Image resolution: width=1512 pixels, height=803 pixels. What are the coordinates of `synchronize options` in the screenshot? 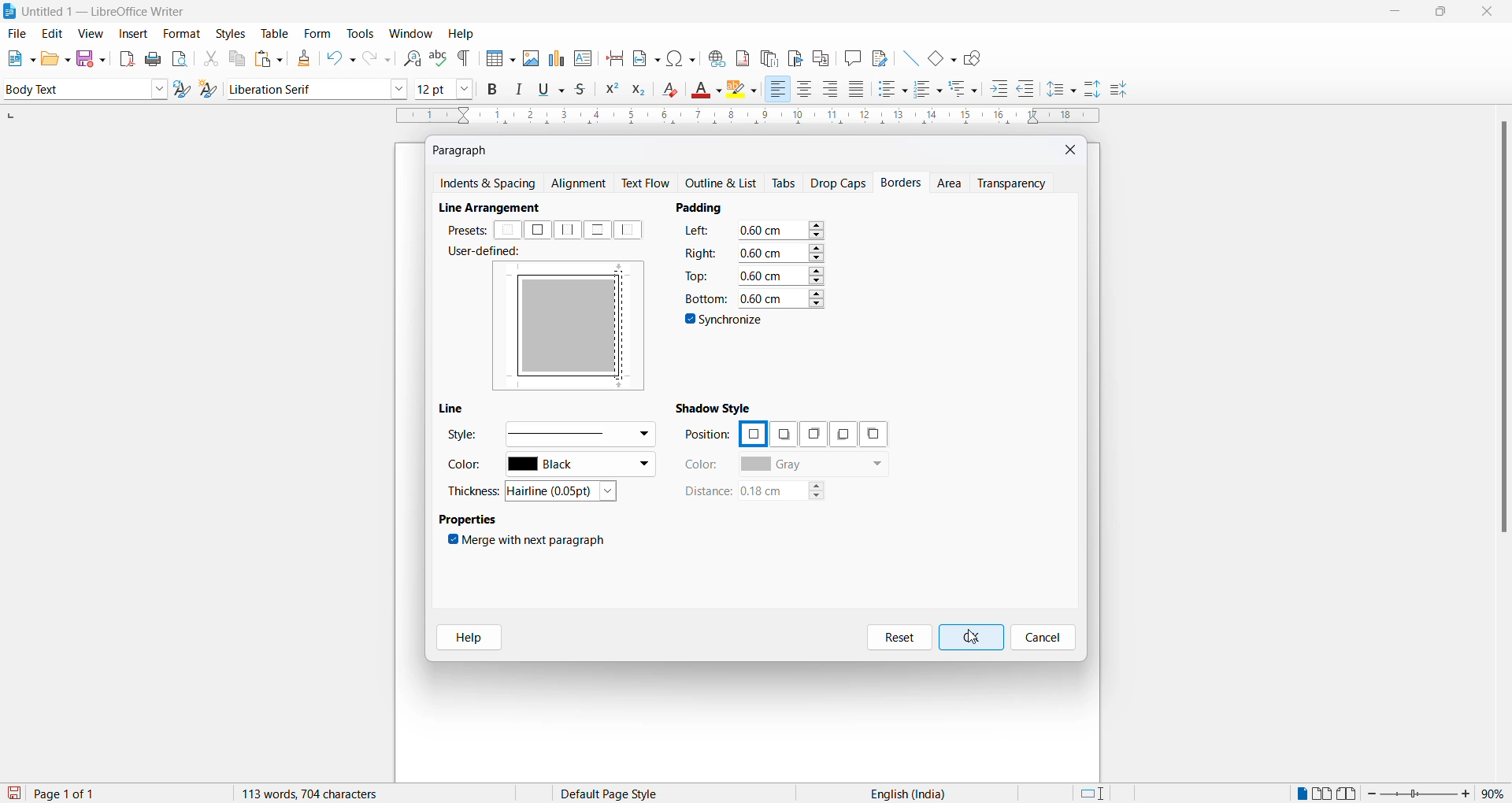 It's located at (726, 322).